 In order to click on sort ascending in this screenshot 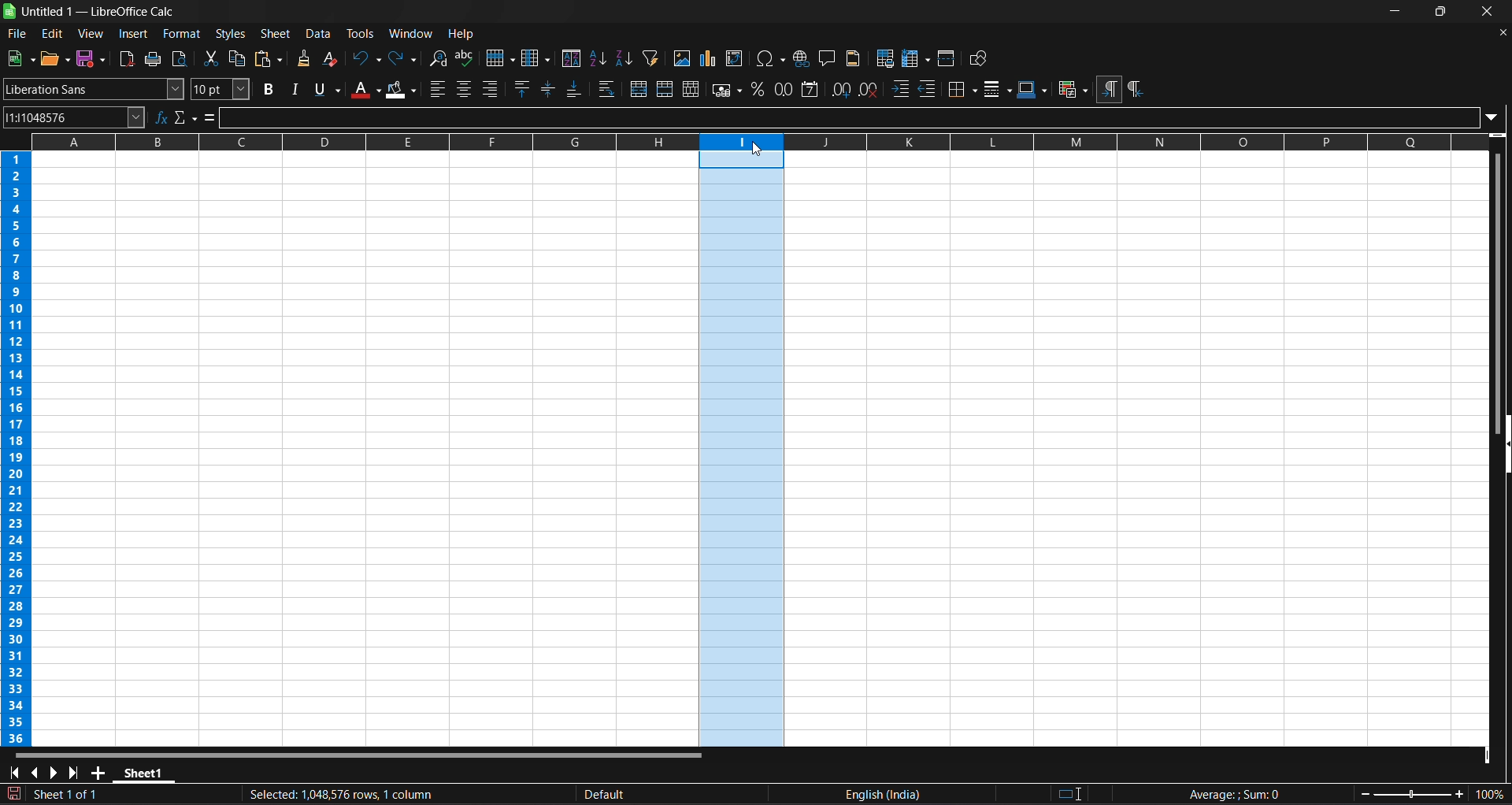, I will do `click(598, 57)`.